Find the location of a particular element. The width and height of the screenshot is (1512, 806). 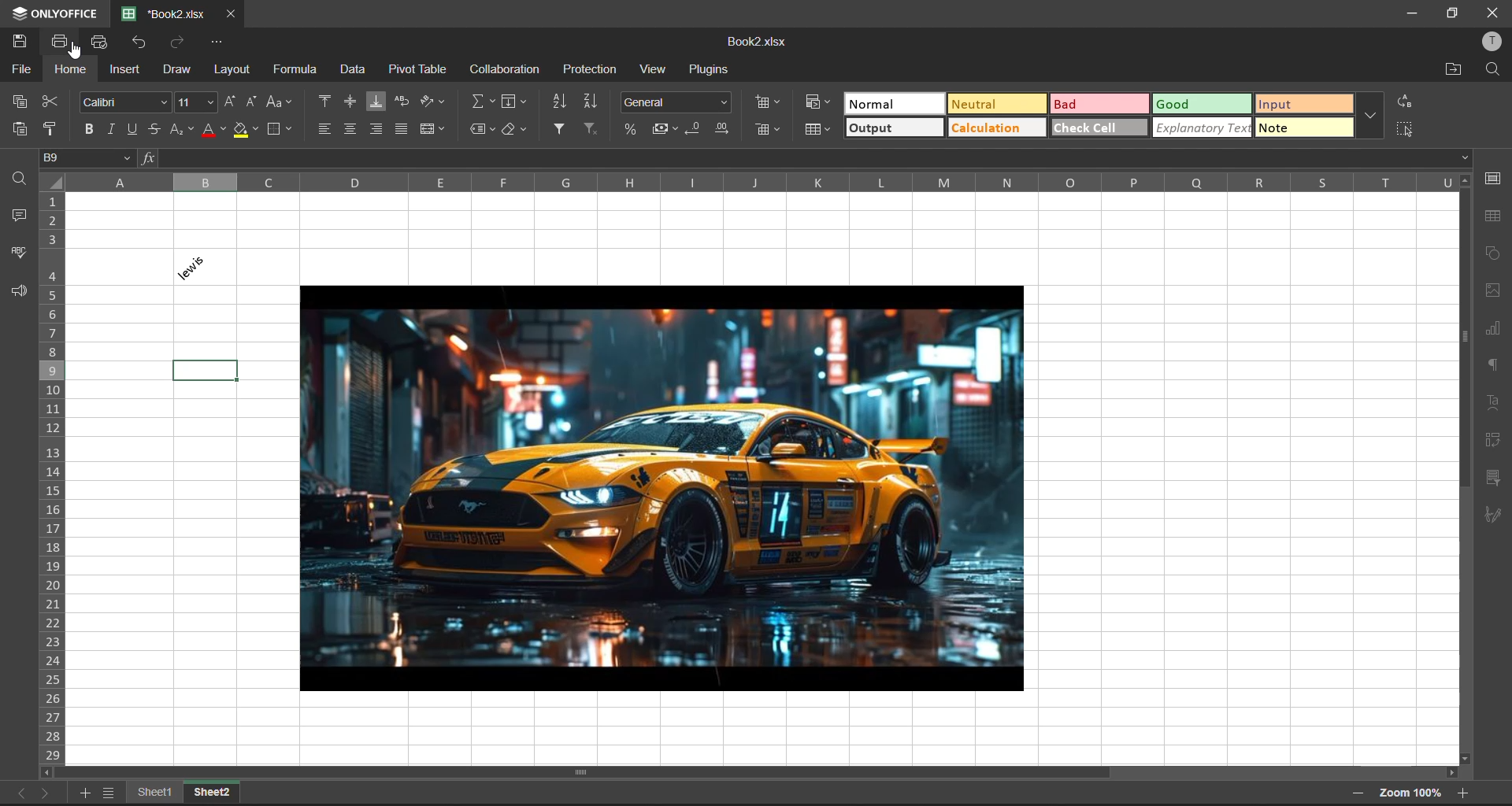

home is located at coordinates (73, 68).